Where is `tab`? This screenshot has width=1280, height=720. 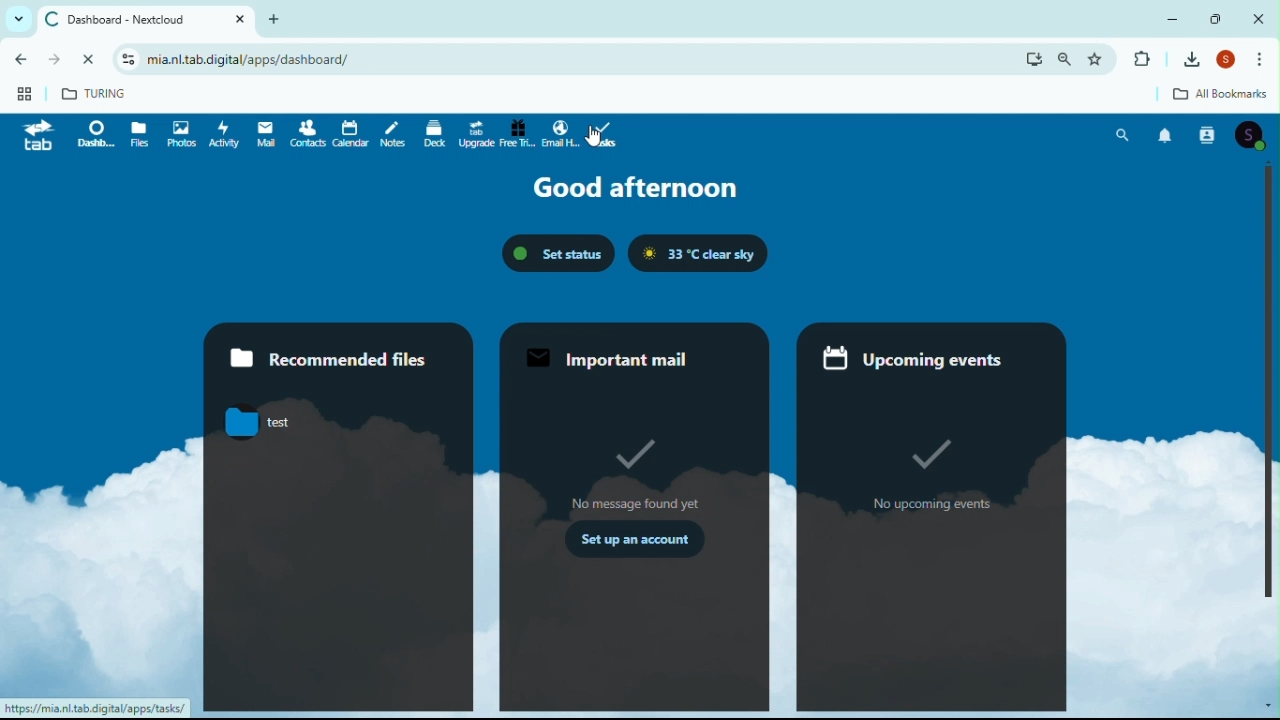
tab is located at coordinates (35, 138).